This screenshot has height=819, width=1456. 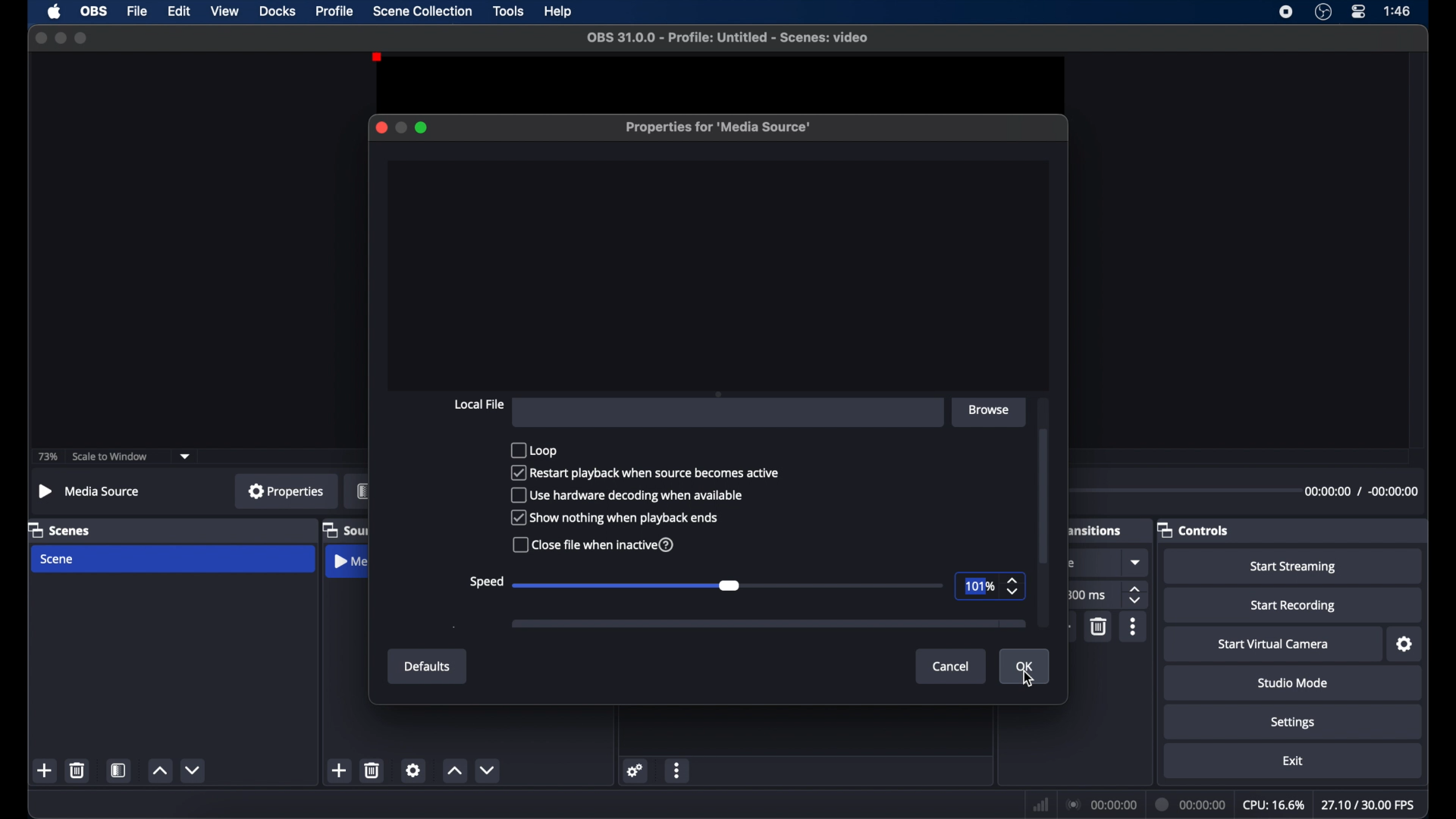 What do you see at coordinates (533, 449) in the screenshot?
I see `loop` at bounding box center [533, 449].